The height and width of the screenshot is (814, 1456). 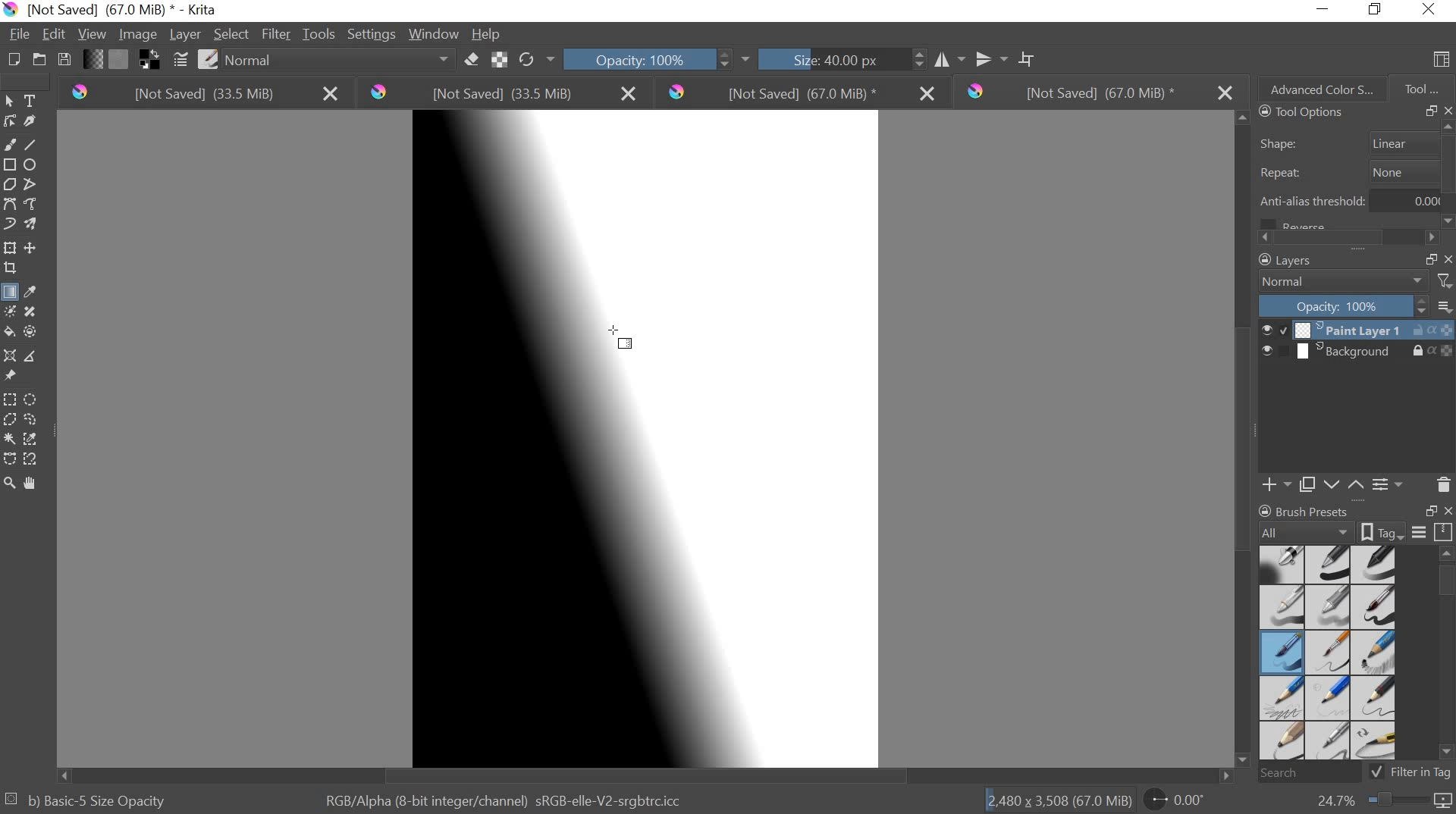 I want to click on LAYERS, so click(x=1282, y=260).